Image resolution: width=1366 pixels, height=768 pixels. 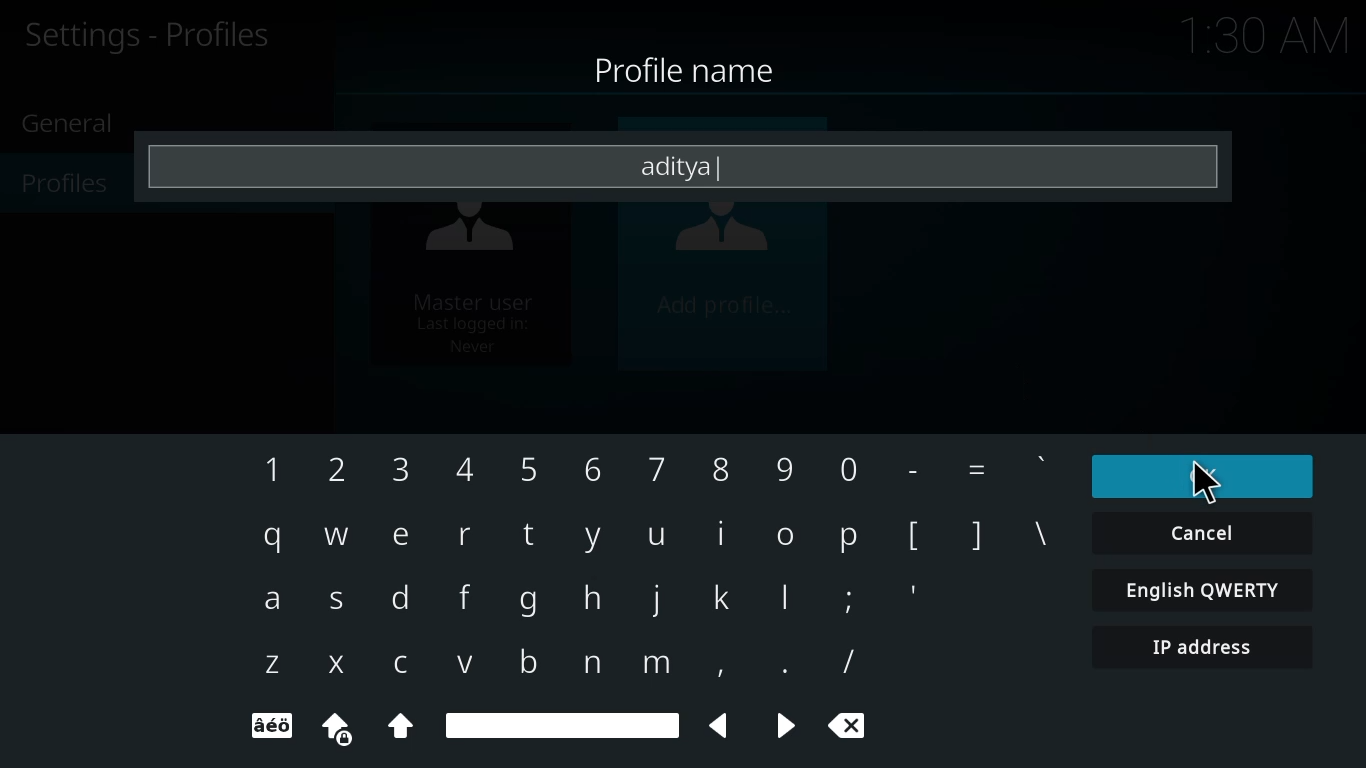 What do you see at coordinates (587, 595) in the screenshot?
I see `h` at bounding box center [587, 595].